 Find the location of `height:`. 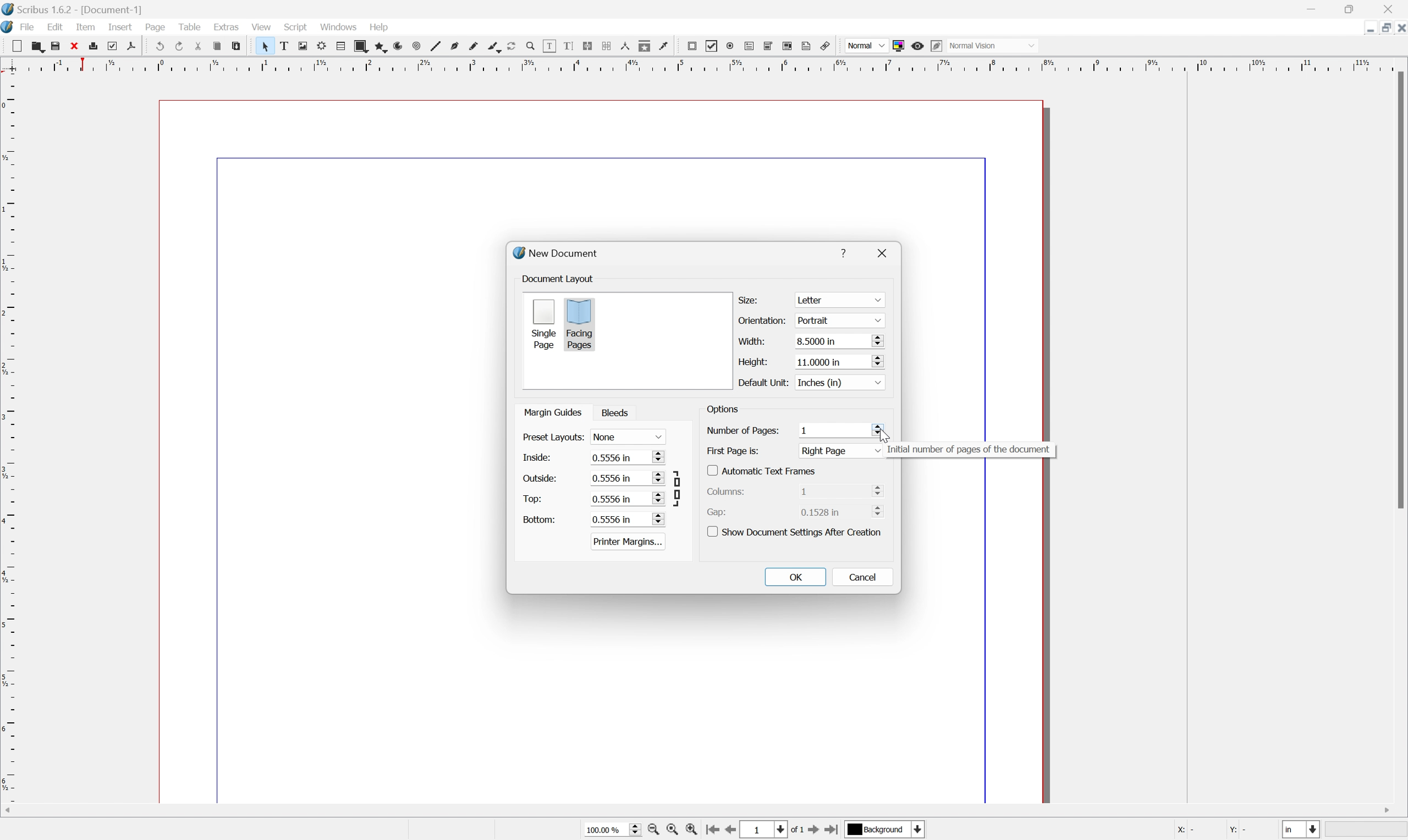

height: is located at coordinates (751, 361).